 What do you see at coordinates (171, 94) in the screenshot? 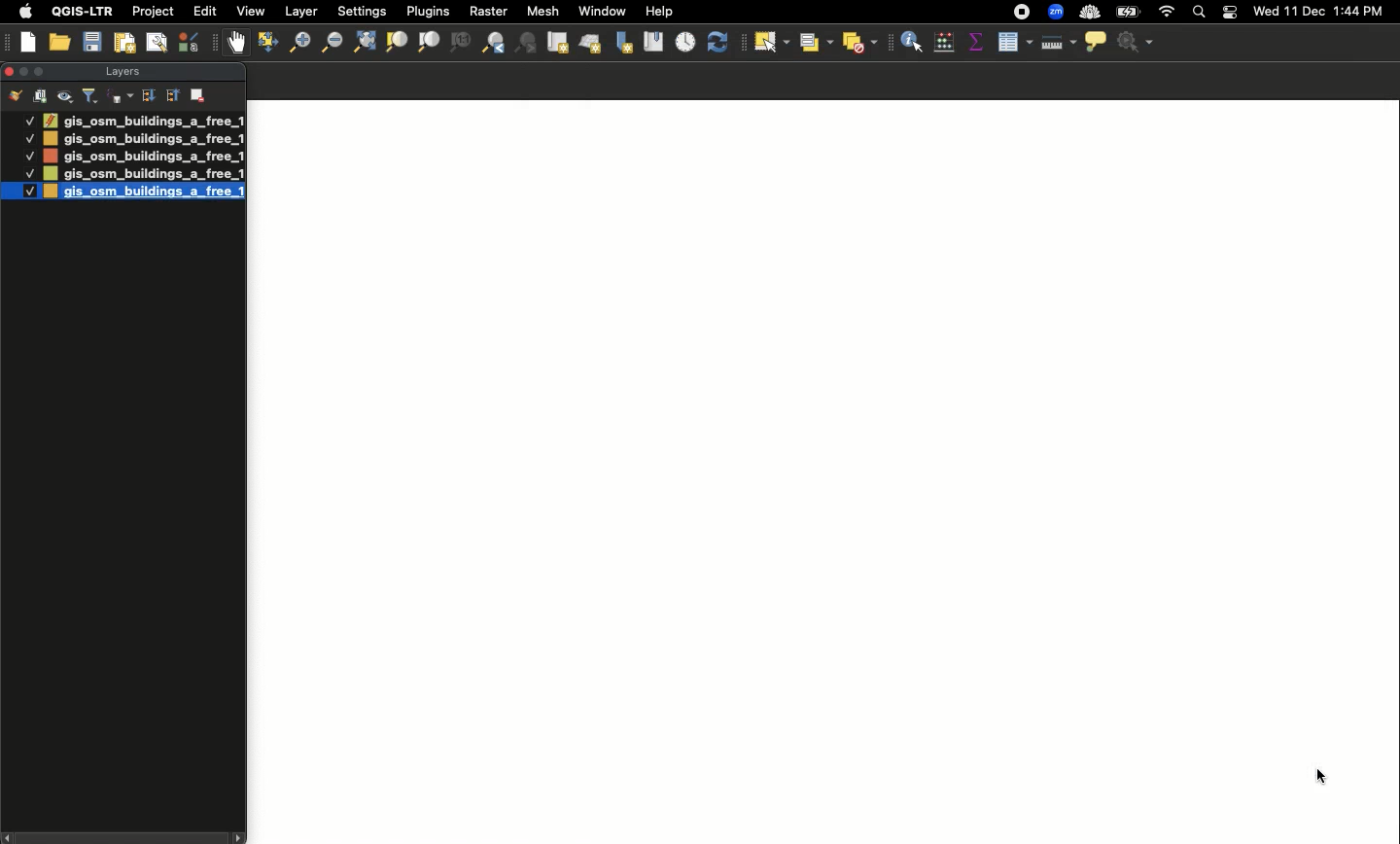
I see `Sort ascending` at bounding box center [171, 94].